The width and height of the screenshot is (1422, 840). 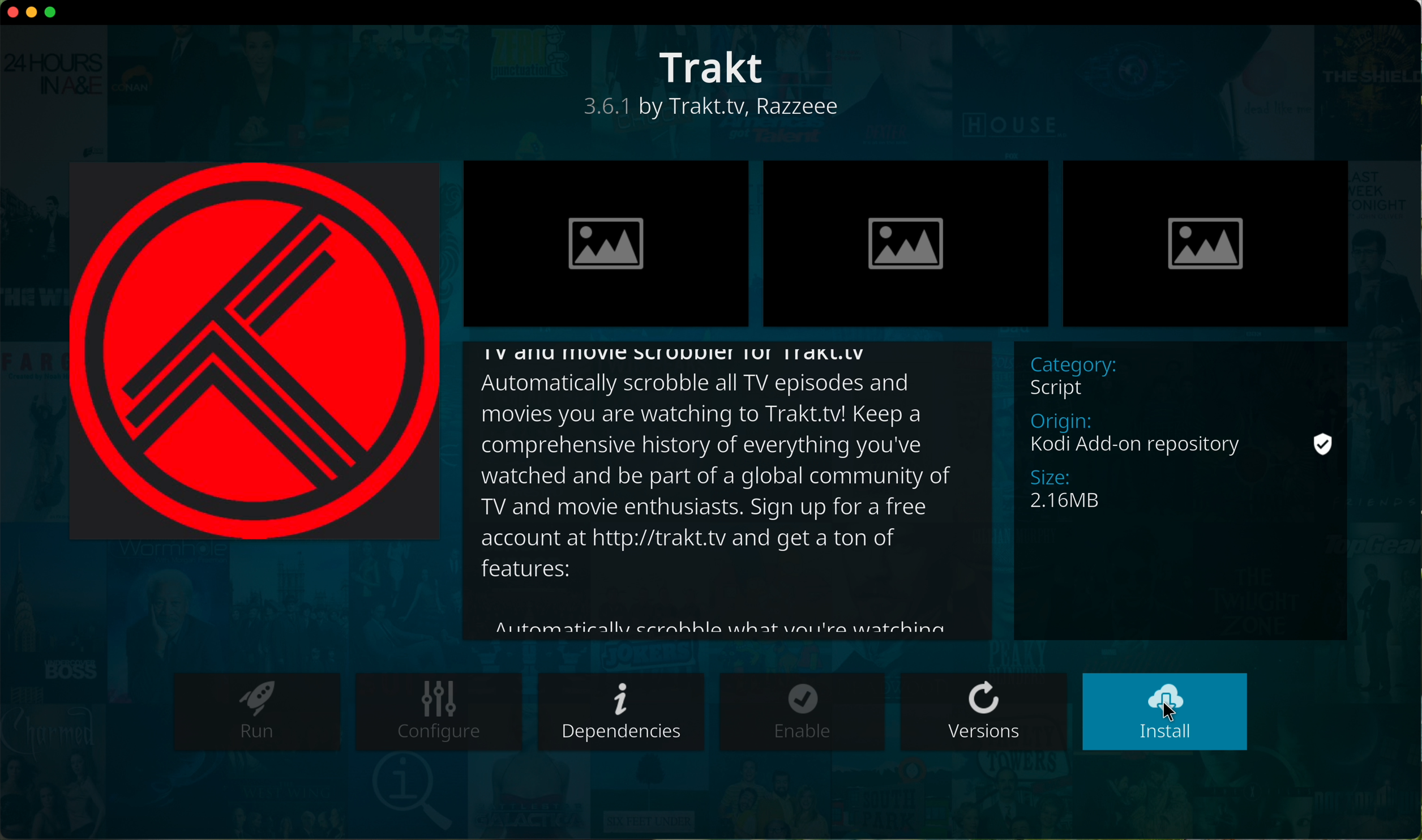 I want to click on maximize, so click(x=52, y=14).